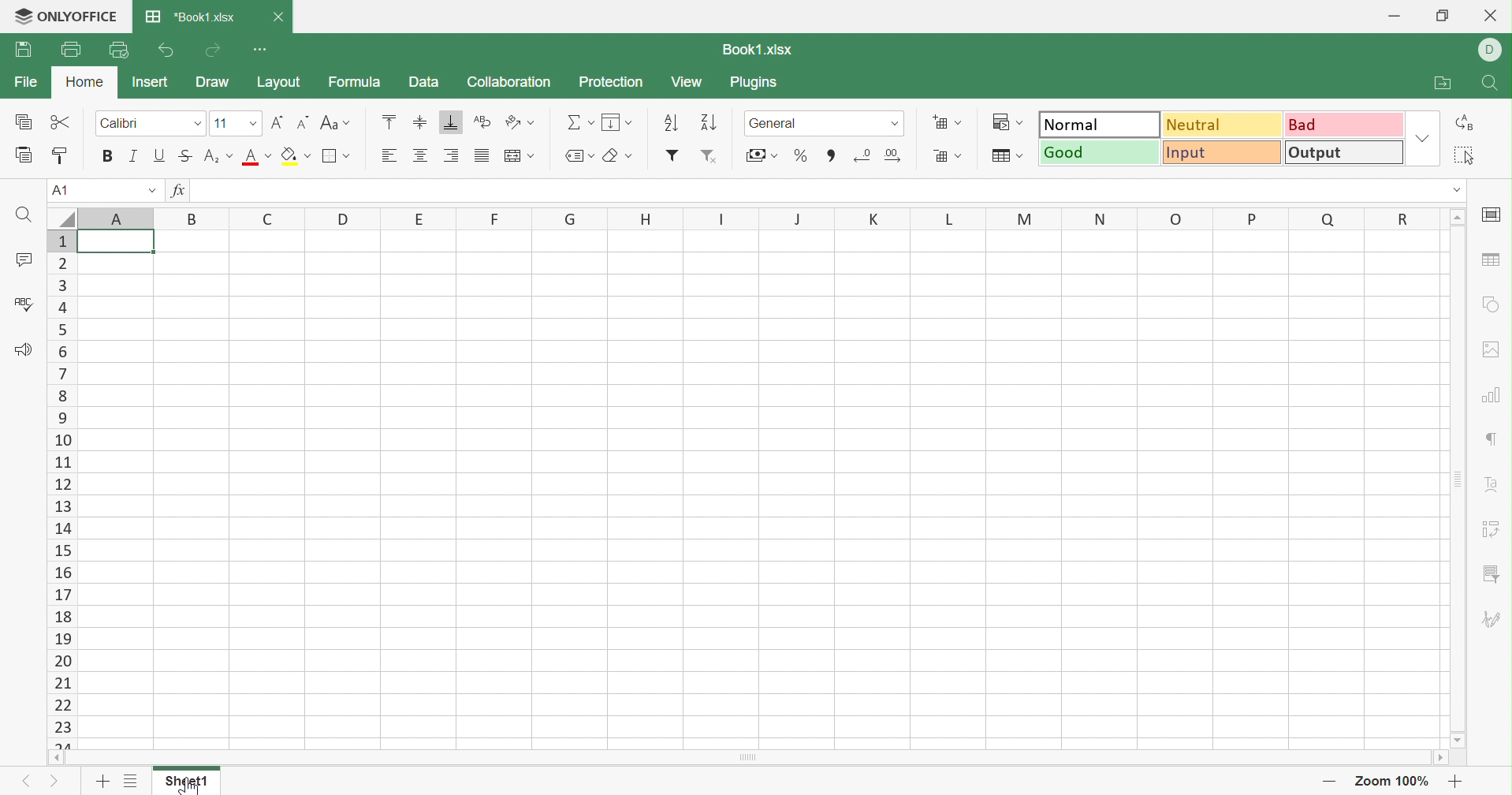 The height and width of the screenshot is (795, 1512). Describe the element at coordinates (619, 121) in the screenshot. I see `Fill` at that location.